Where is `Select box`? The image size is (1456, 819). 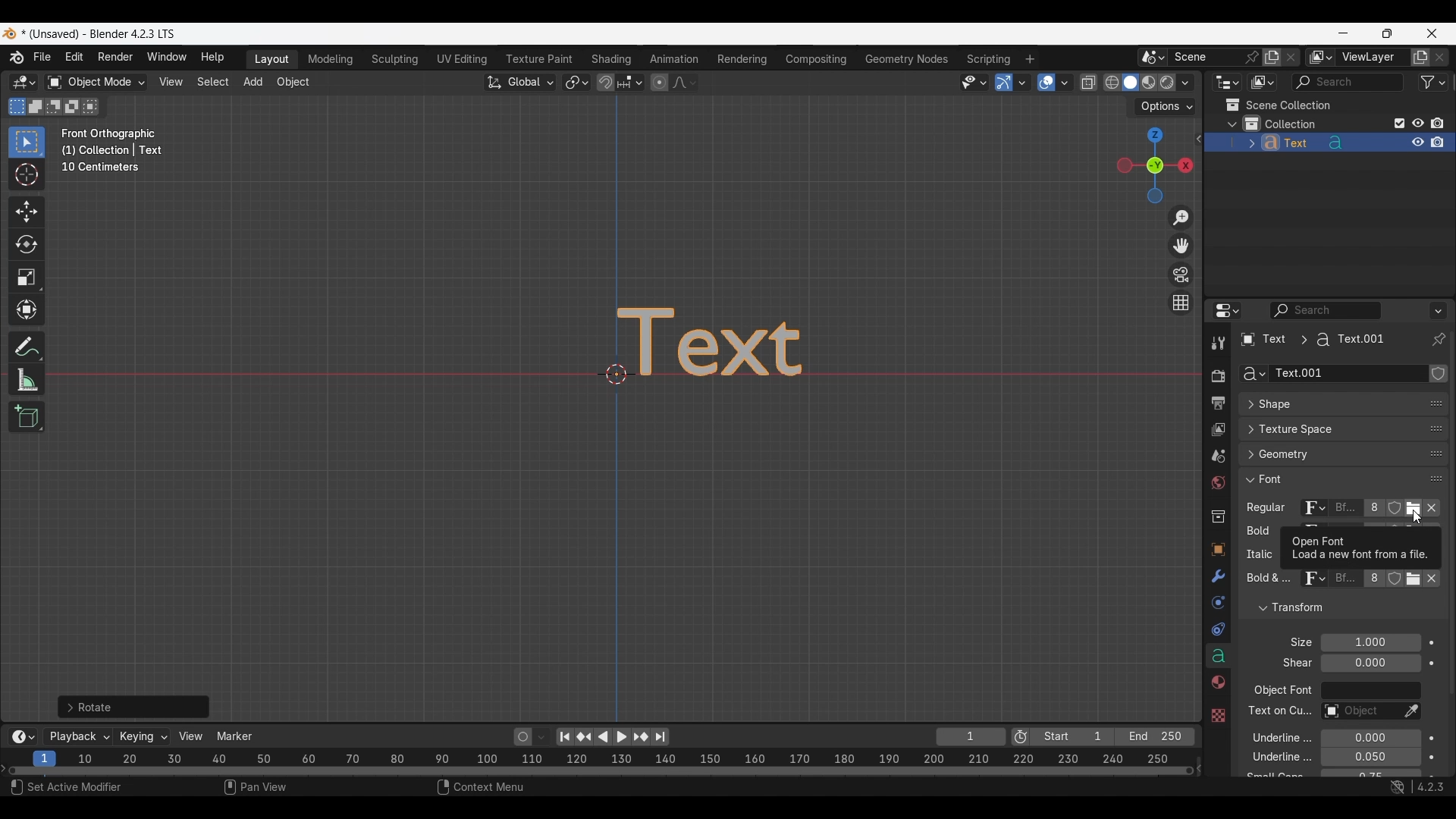
Select box is located at coordinates (27, 142).